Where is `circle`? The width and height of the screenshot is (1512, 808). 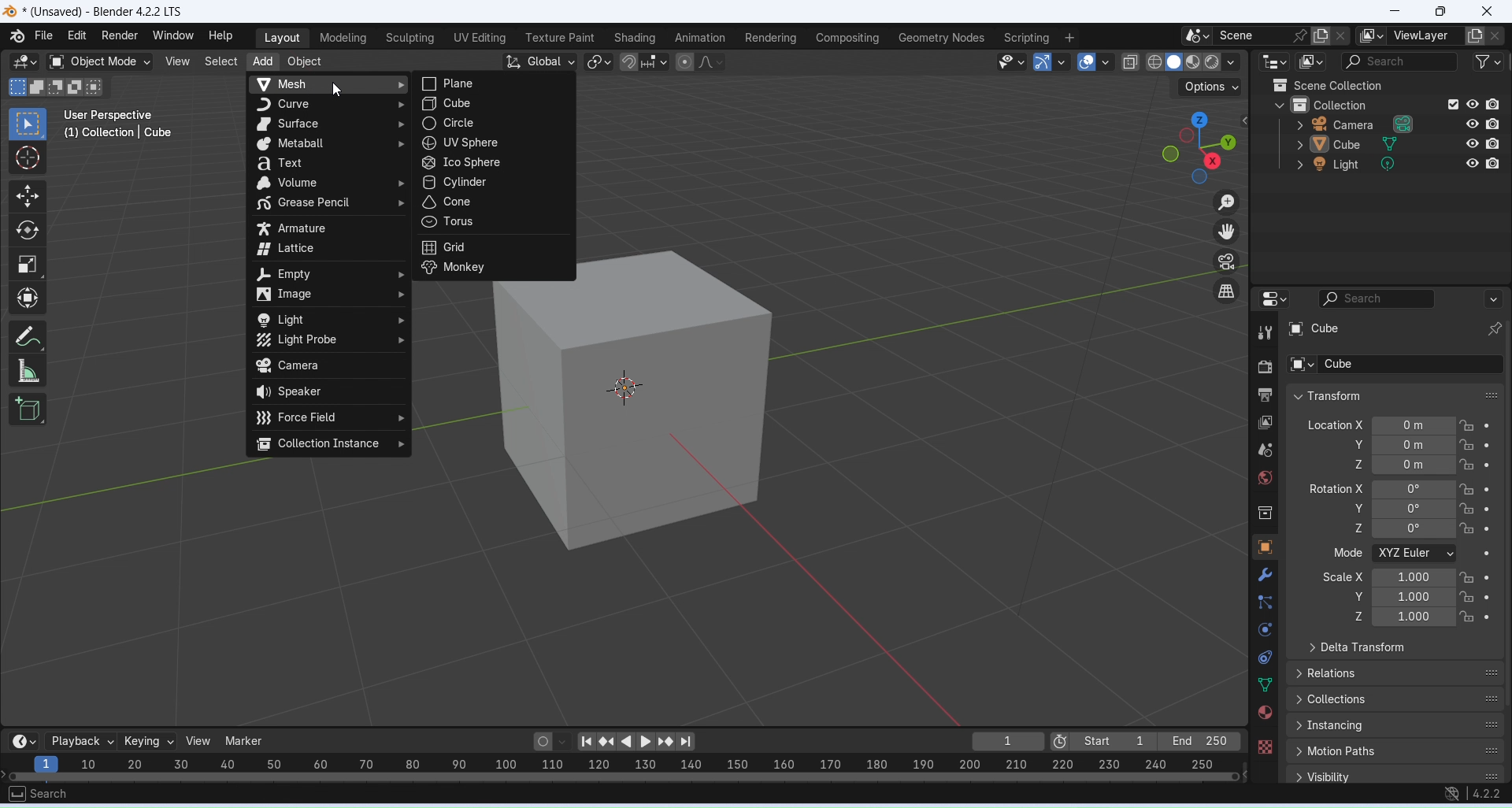 circle is located at coordinates (488, 124).